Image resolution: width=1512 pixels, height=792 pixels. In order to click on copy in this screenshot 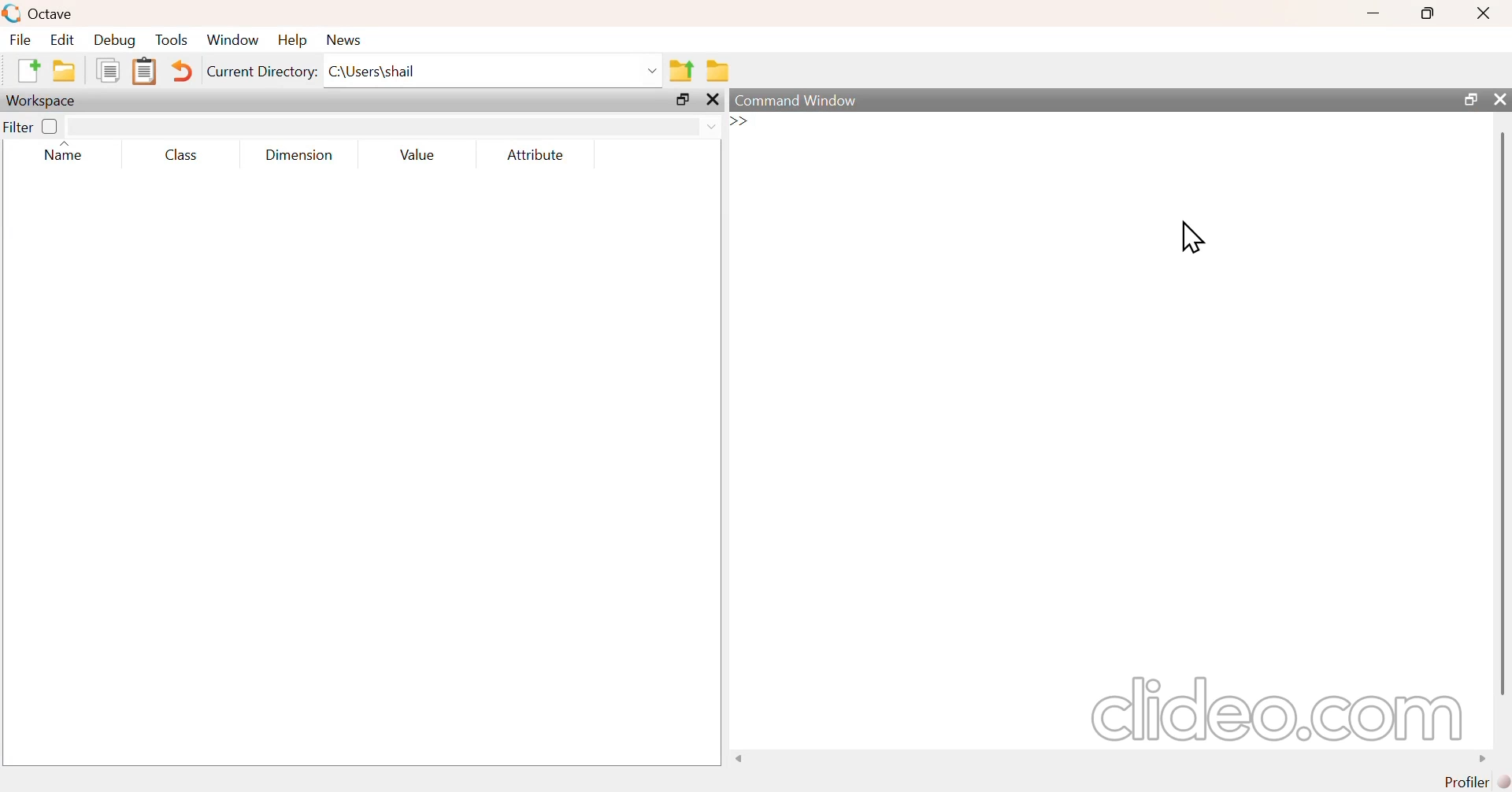, I will do `click(103, 72)`.